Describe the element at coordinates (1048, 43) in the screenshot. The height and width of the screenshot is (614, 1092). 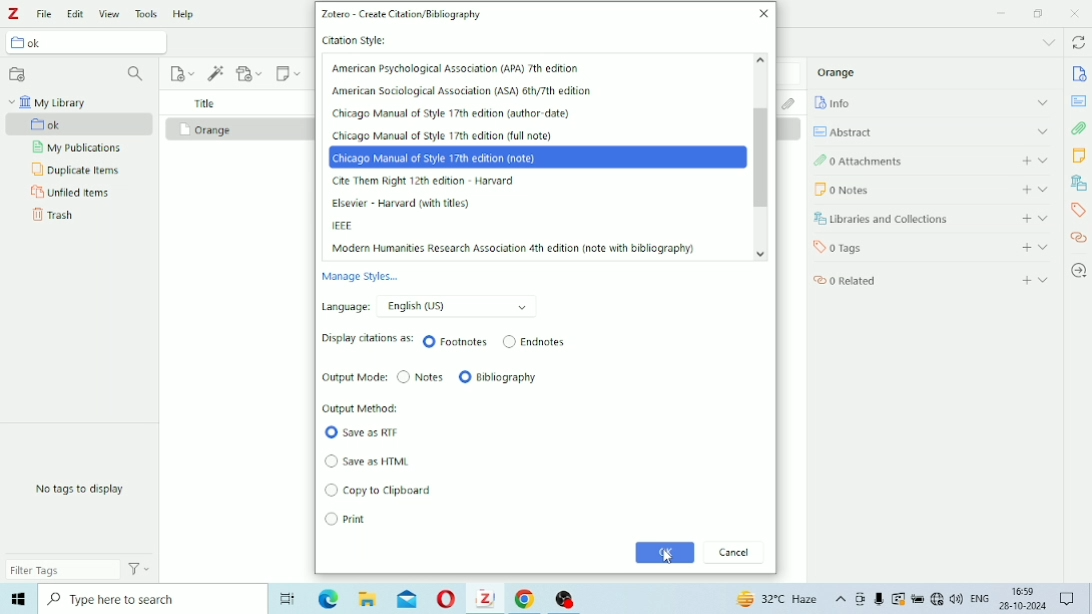
I see `List all tabs` at that location.